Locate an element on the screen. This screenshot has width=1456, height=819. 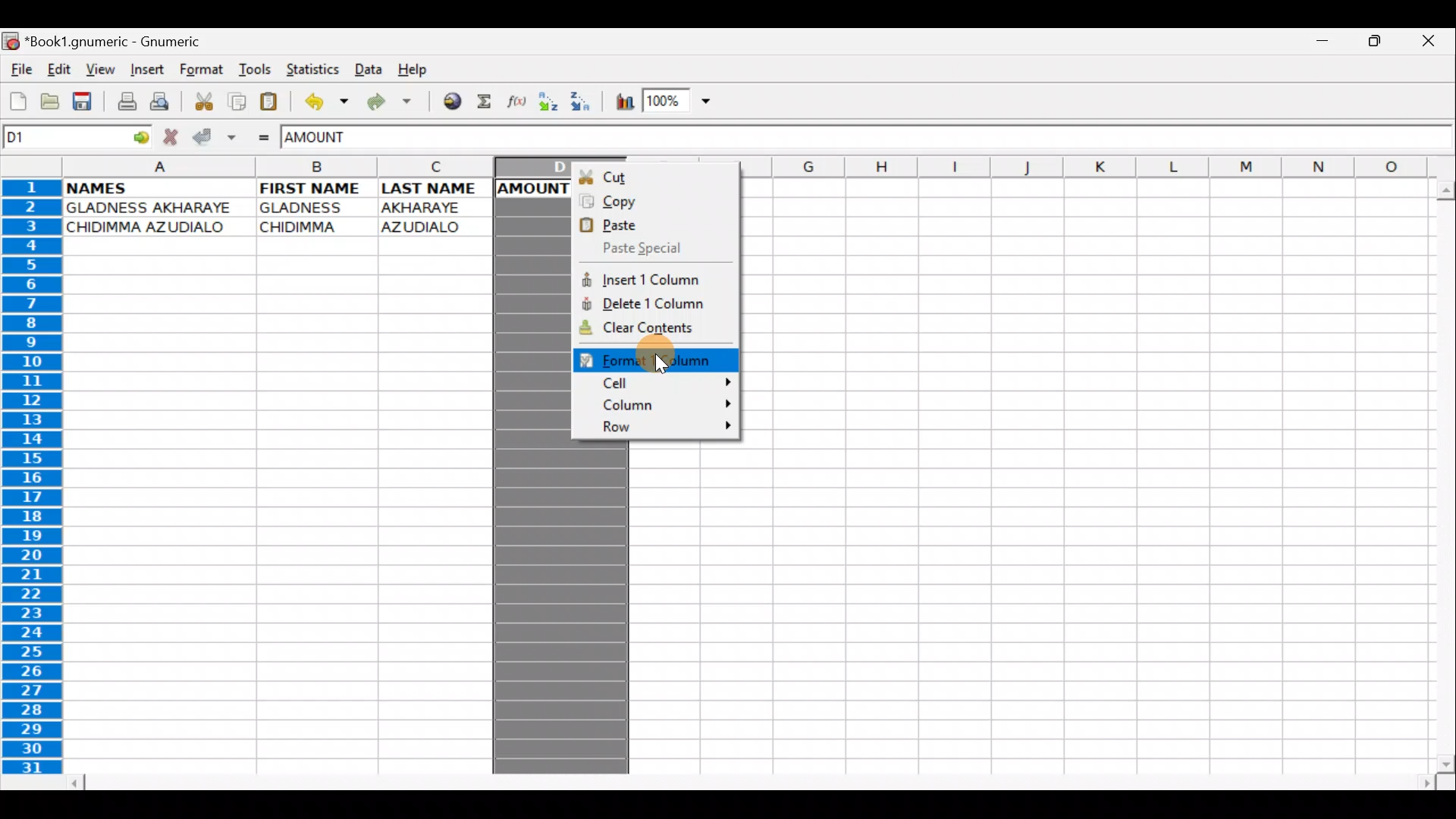
Zoom is located at coordinates (679, 102).